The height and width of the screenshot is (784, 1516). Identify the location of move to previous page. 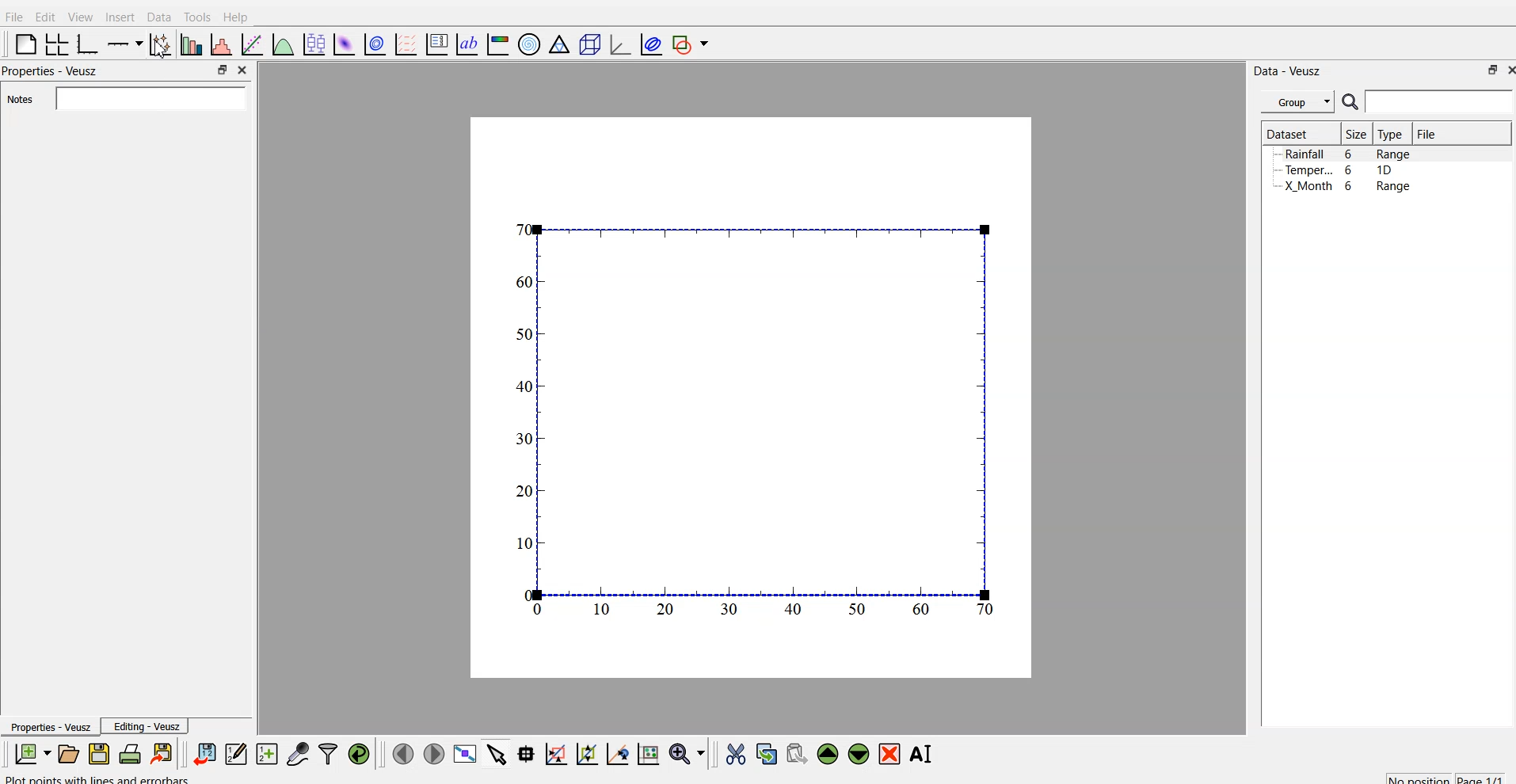
(403, 752).